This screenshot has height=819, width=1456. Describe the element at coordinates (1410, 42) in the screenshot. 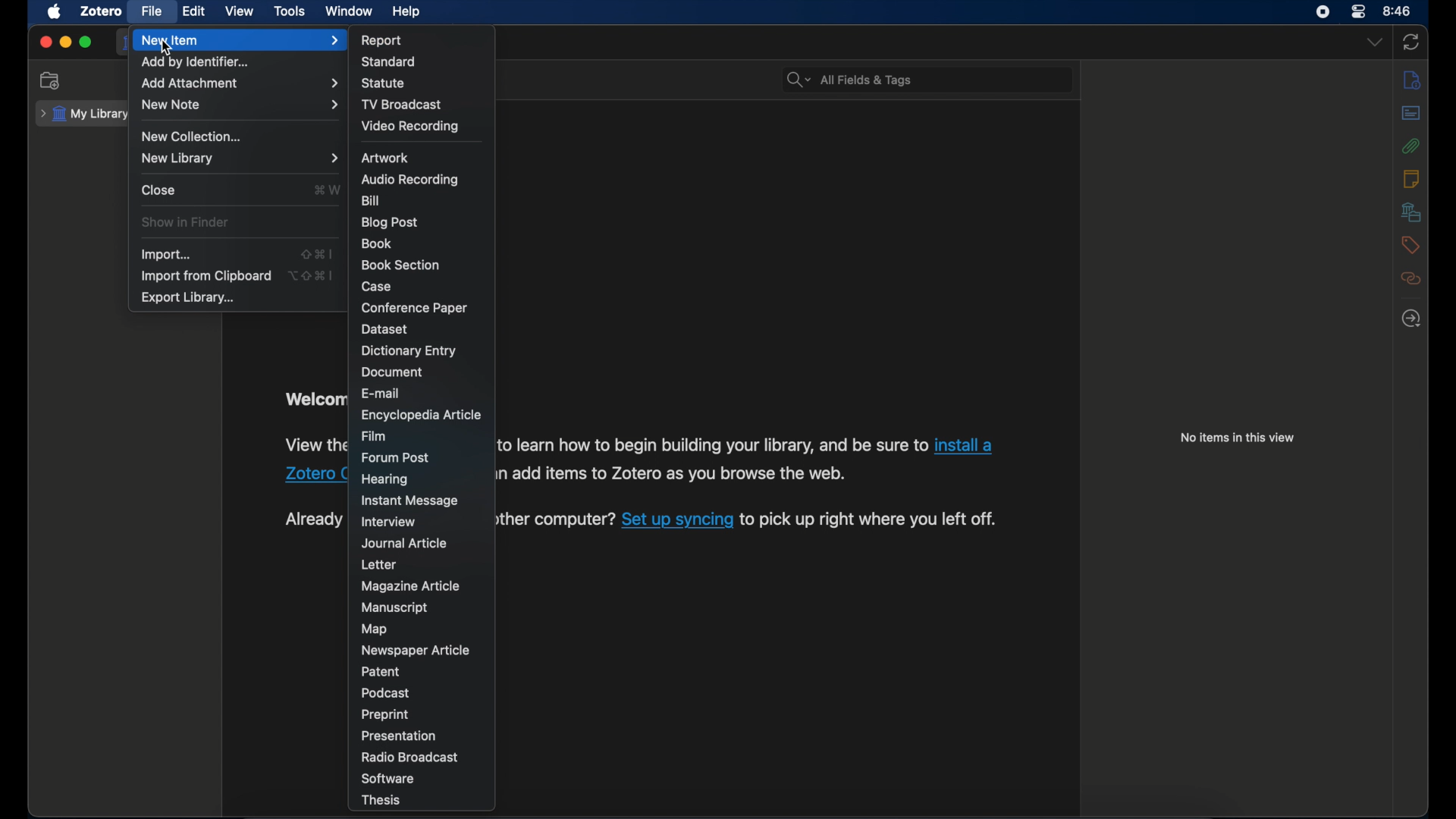

I see `sync` at that location.